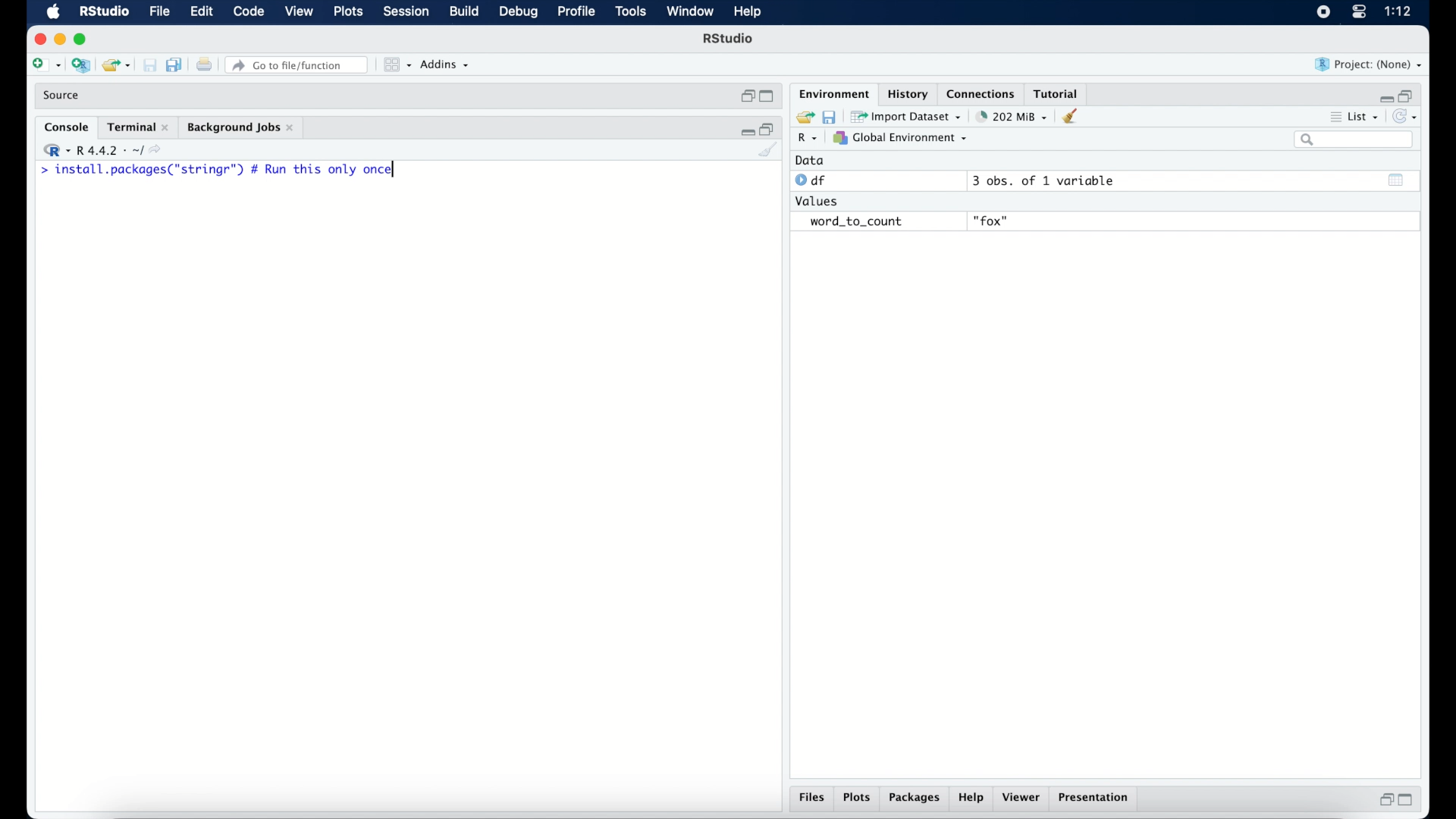  I want to click on restore down, so click(1407, 95).